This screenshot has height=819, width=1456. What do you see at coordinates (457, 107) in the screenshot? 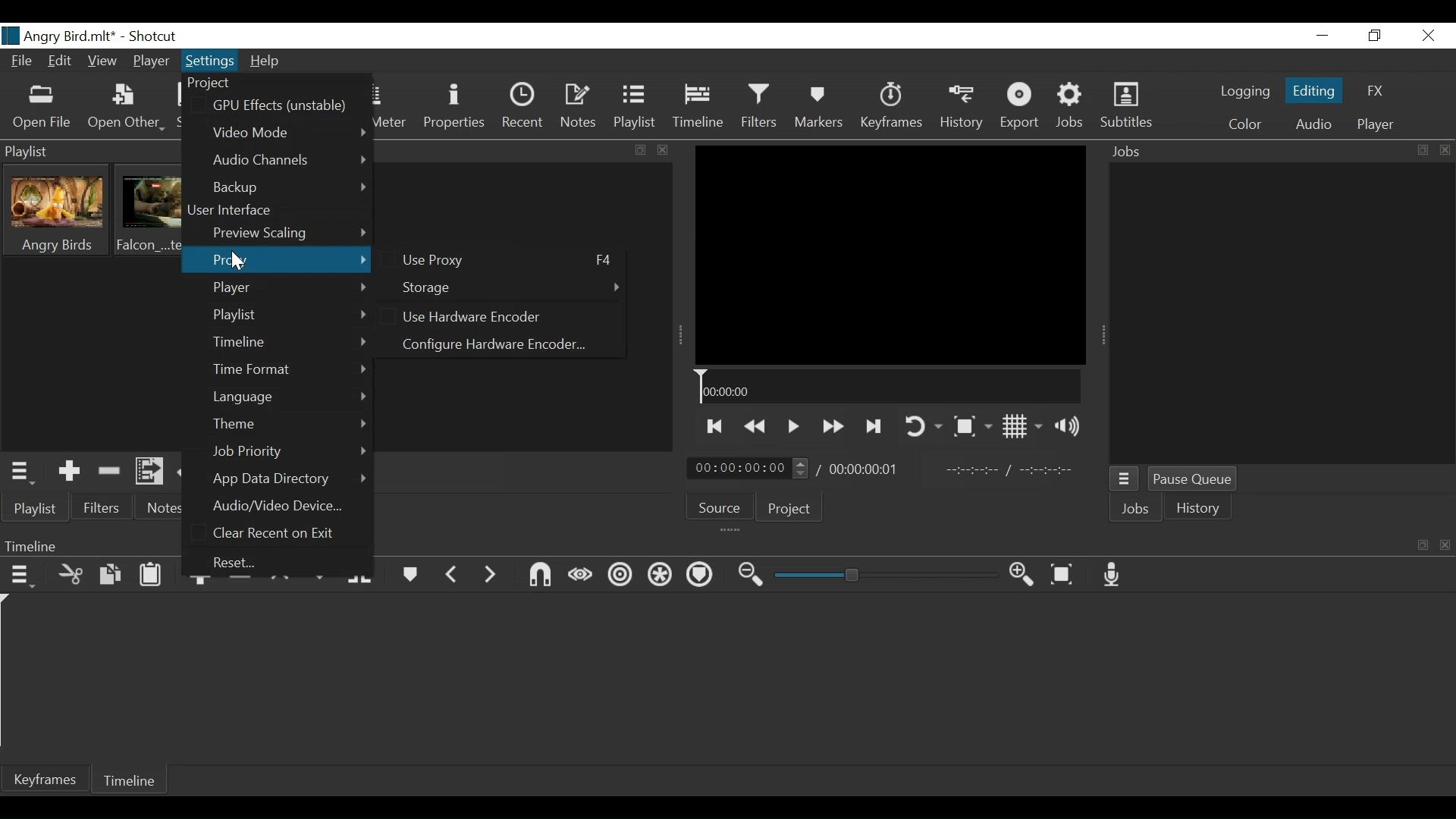
I see `Properties` at bounding box center [457, 107].